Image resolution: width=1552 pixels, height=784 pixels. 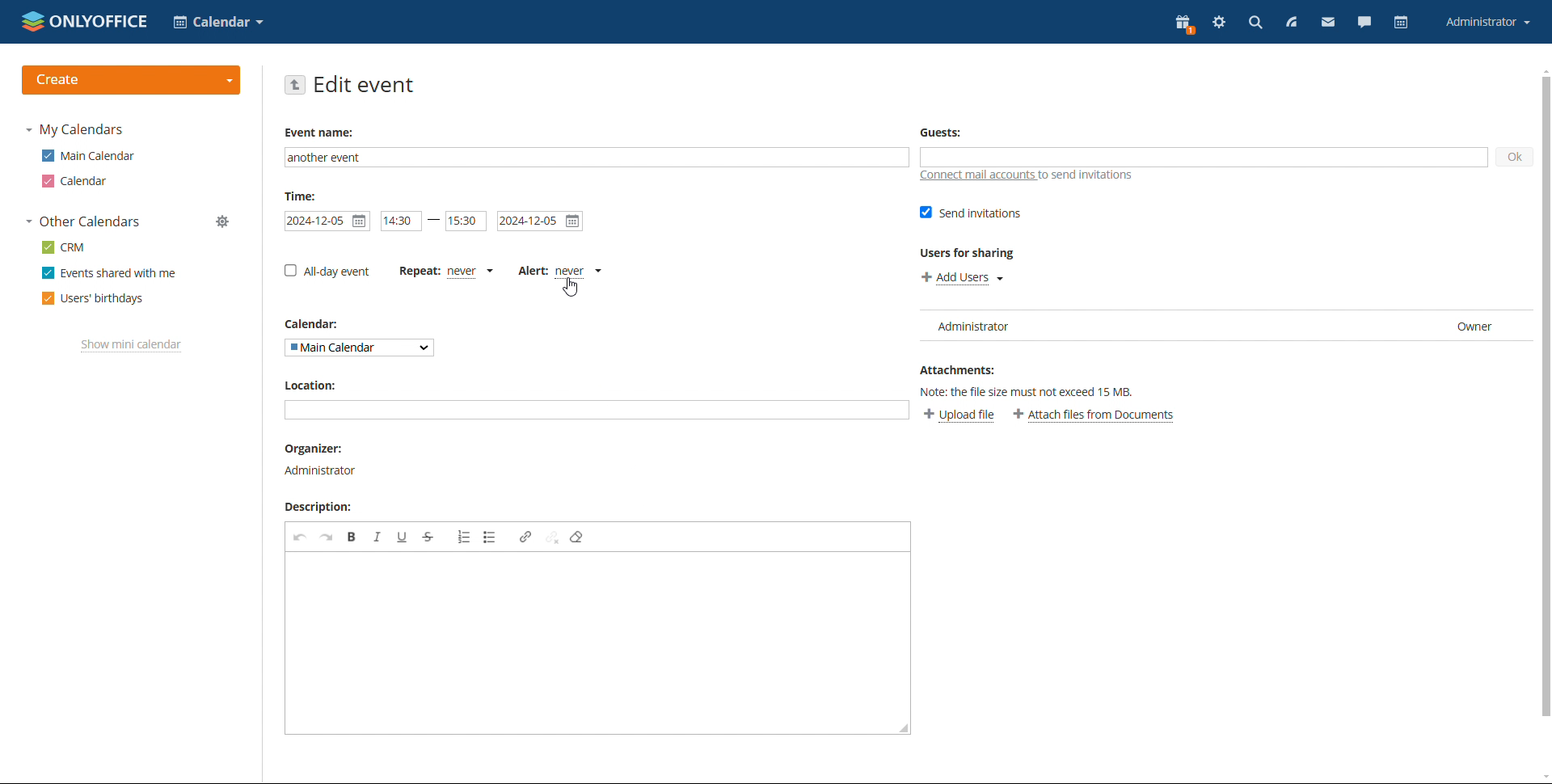 What do you see at coordinates (1542, 777) in the screenshot?
I see `scroll down` at bounding box center [1542, 777].